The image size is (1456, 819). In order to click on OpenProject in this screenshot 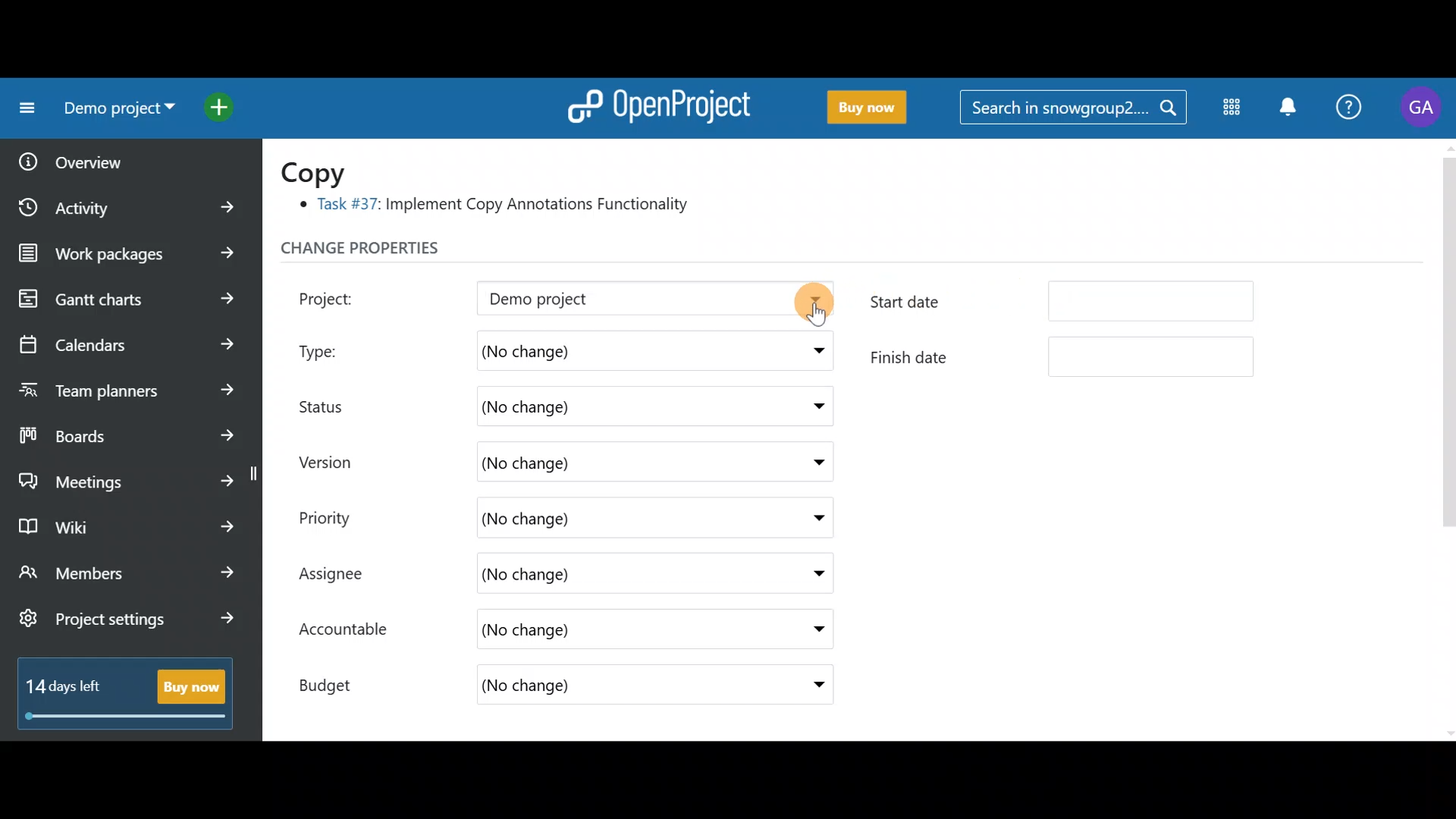, I will do `click(656, 103)`.